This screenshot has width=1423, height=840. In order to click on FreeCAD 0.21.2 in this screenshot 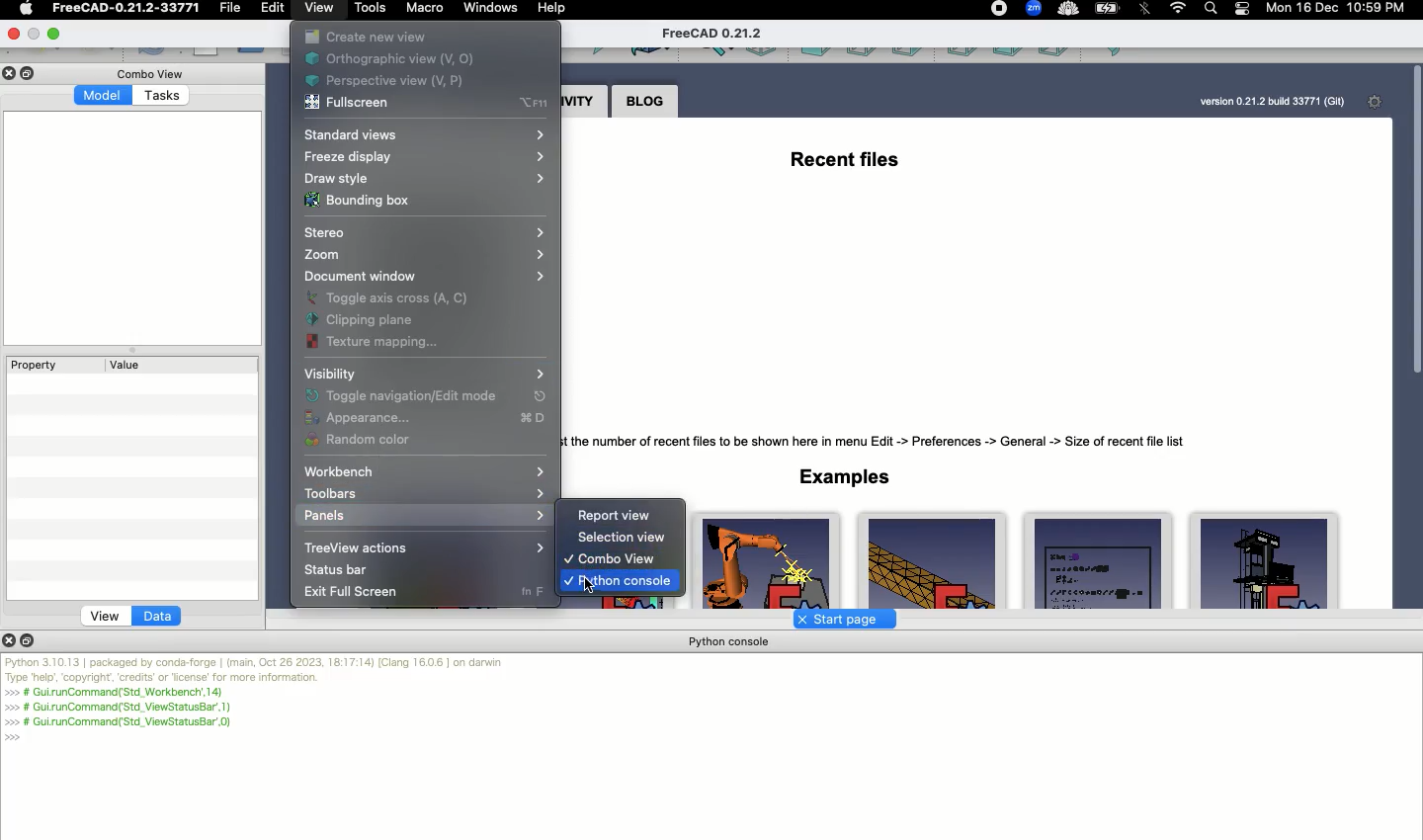, I will do `click(714, 34)`.